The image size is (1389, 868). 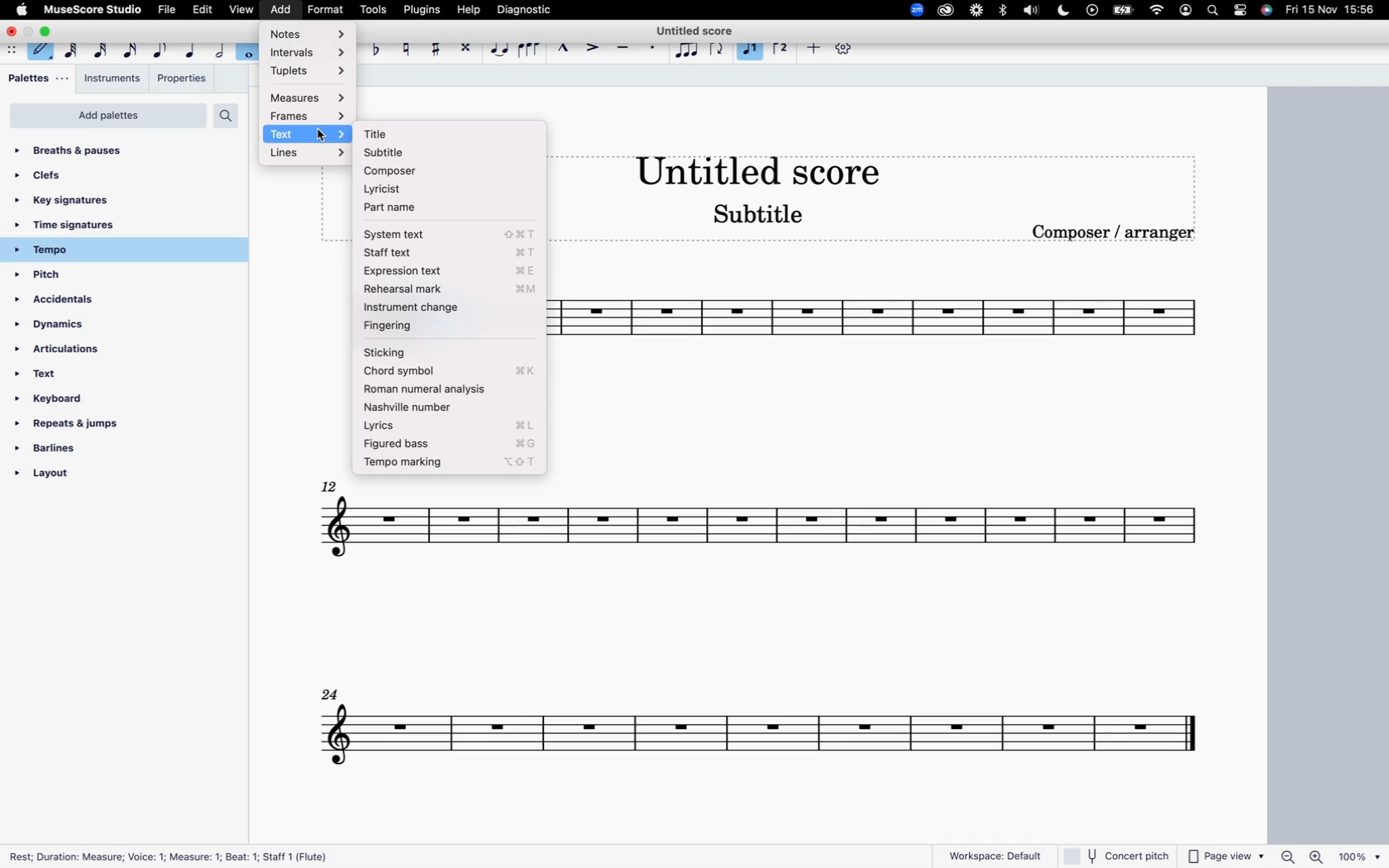 I want to click on toggle sharp, so click(x=435, y=47).